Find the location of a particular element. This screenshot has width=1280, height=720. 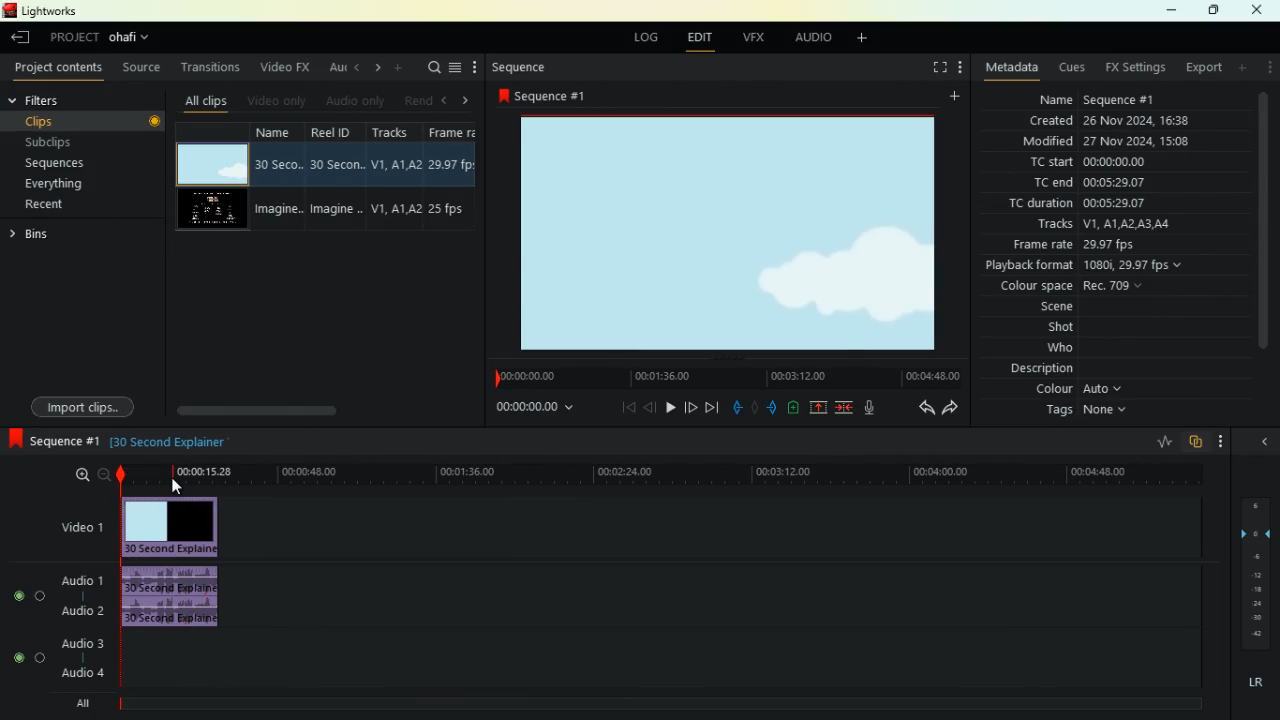

video 1 is located at coordinates (81, 525).